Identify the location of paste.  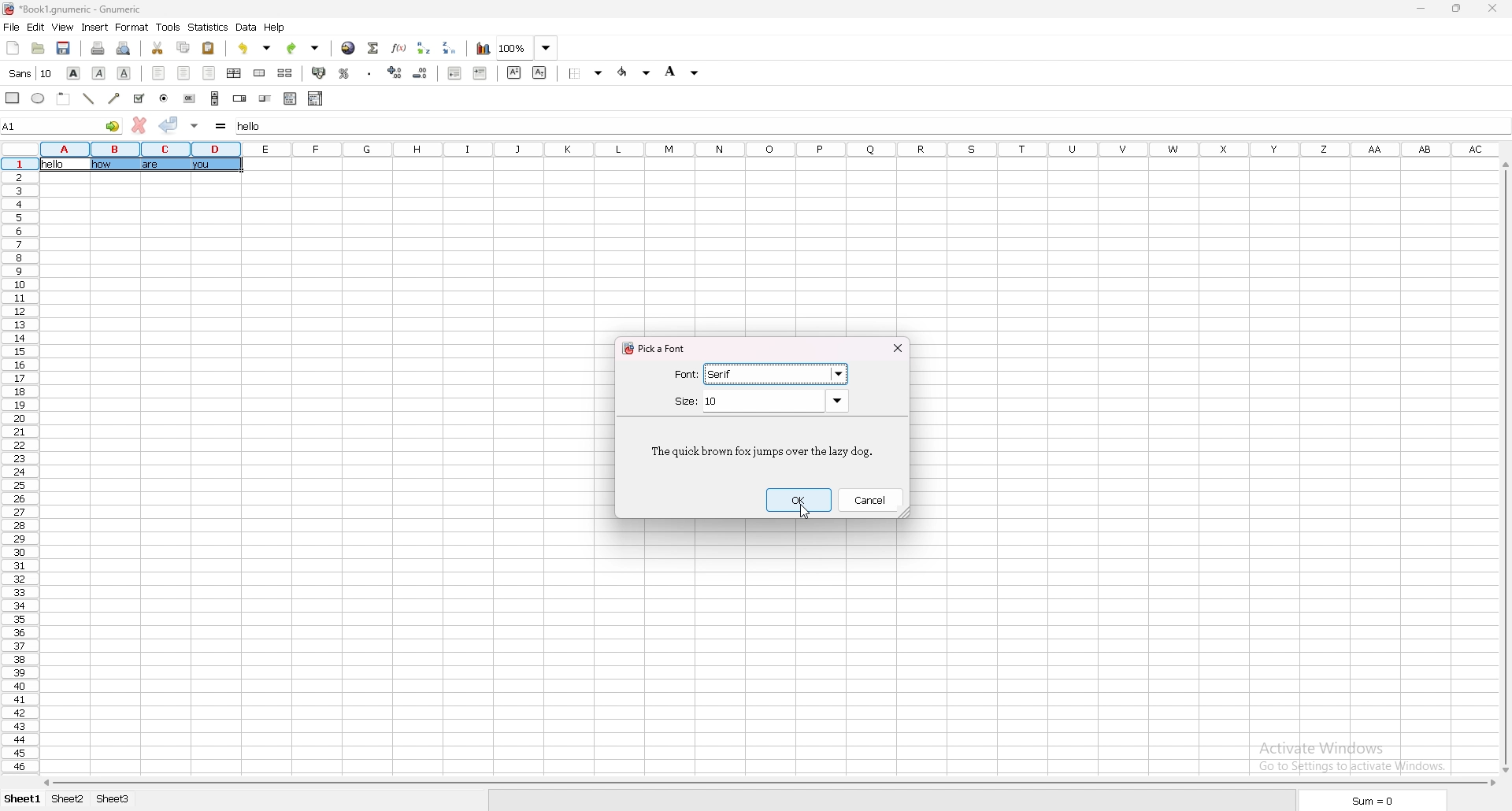
(209, 47).